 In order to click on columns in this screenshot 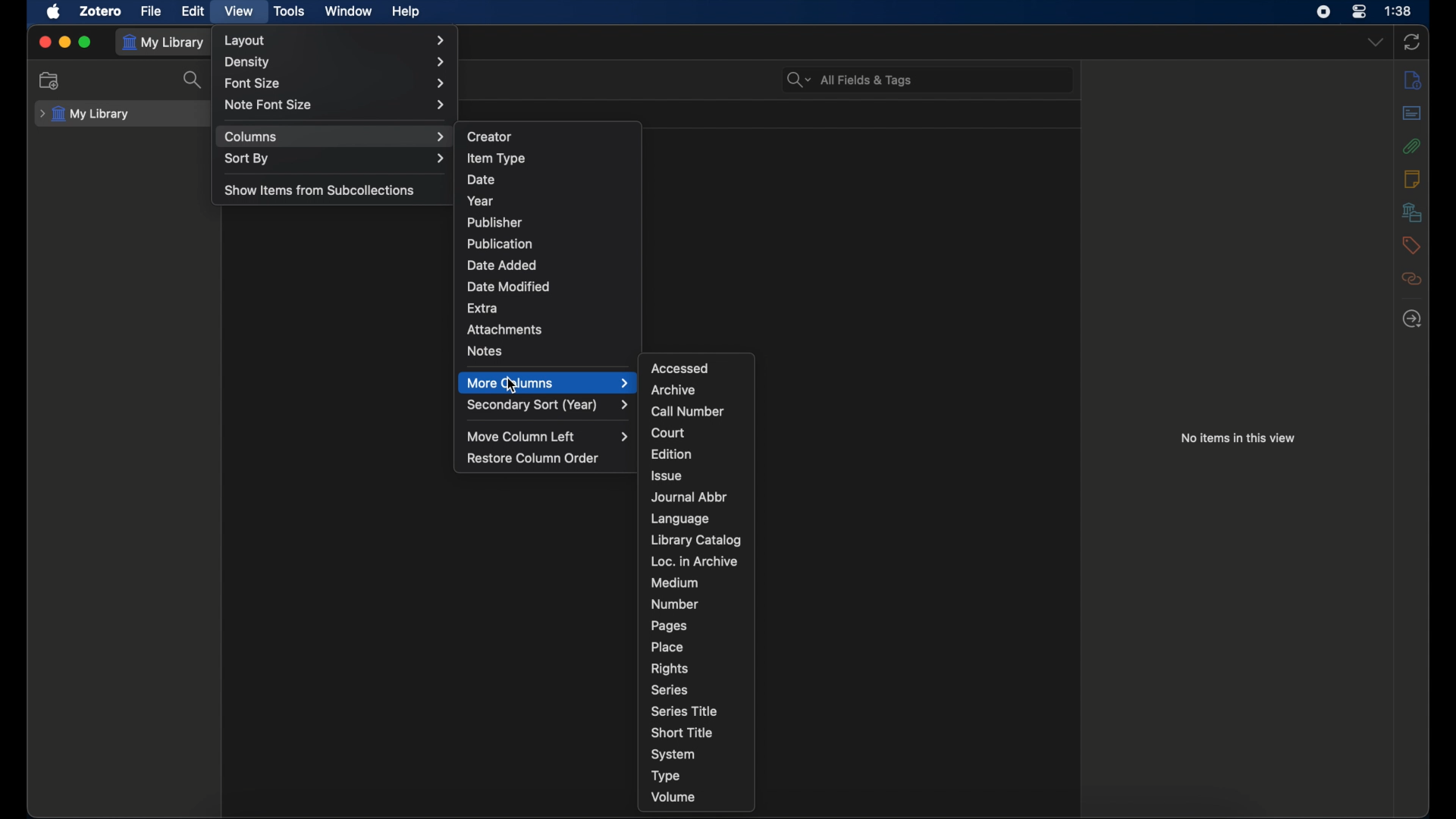, I will do `click(335, 136)`.